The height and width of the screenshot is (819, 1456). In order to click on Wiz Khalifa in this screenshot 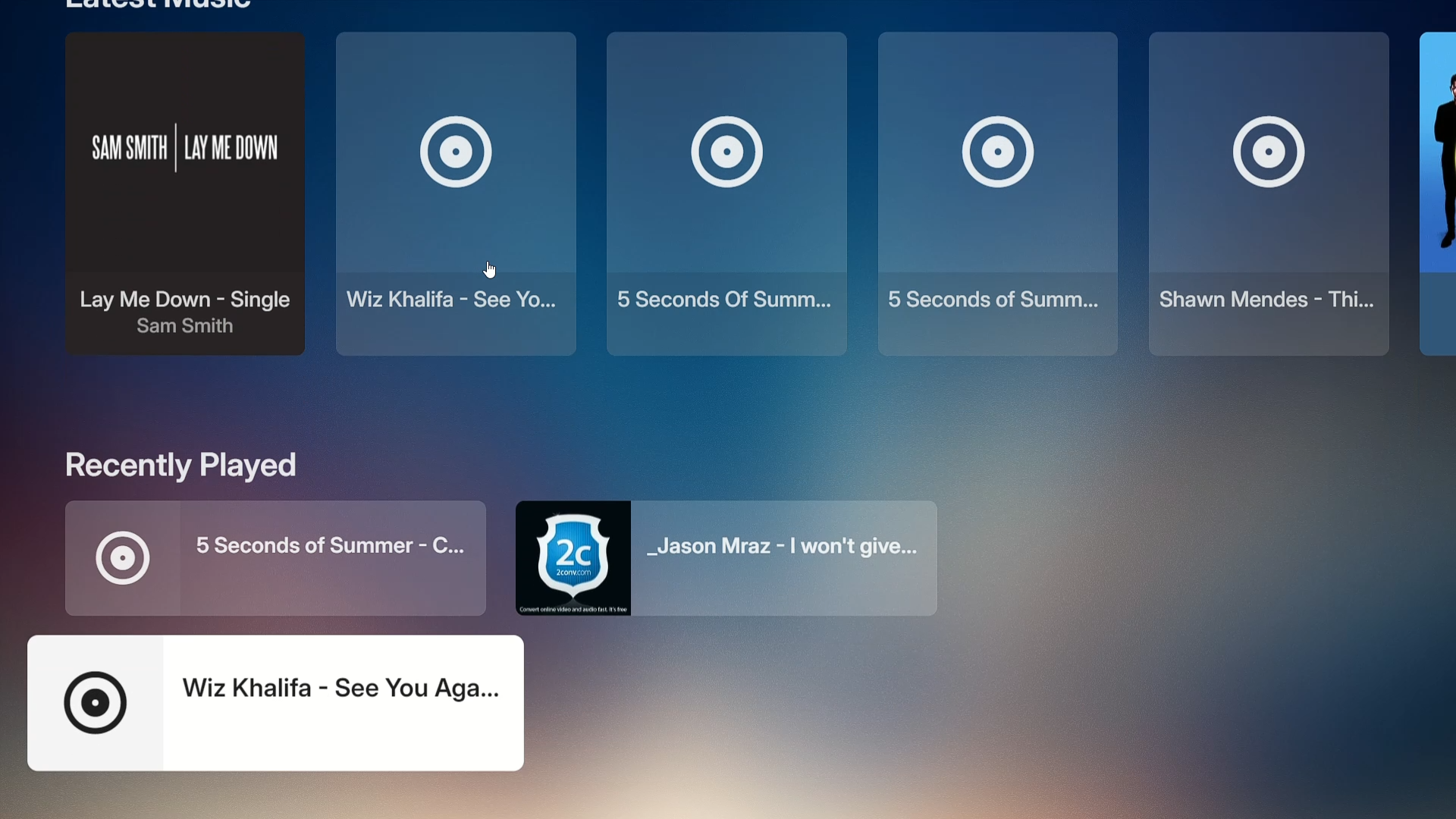, I will do `click(458, 202)`.